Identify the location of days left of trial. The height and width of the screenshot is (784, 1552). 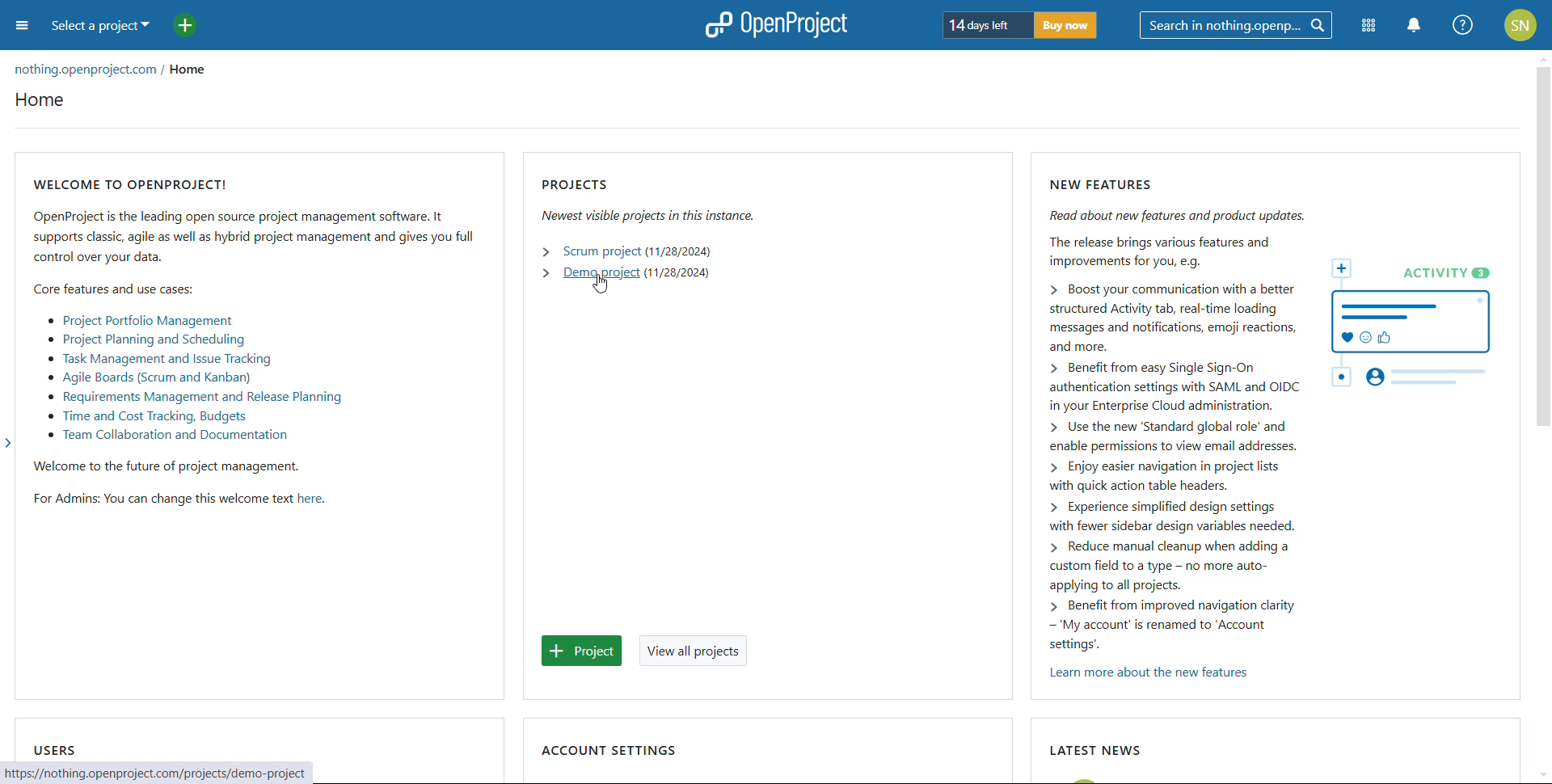
(988, 24).